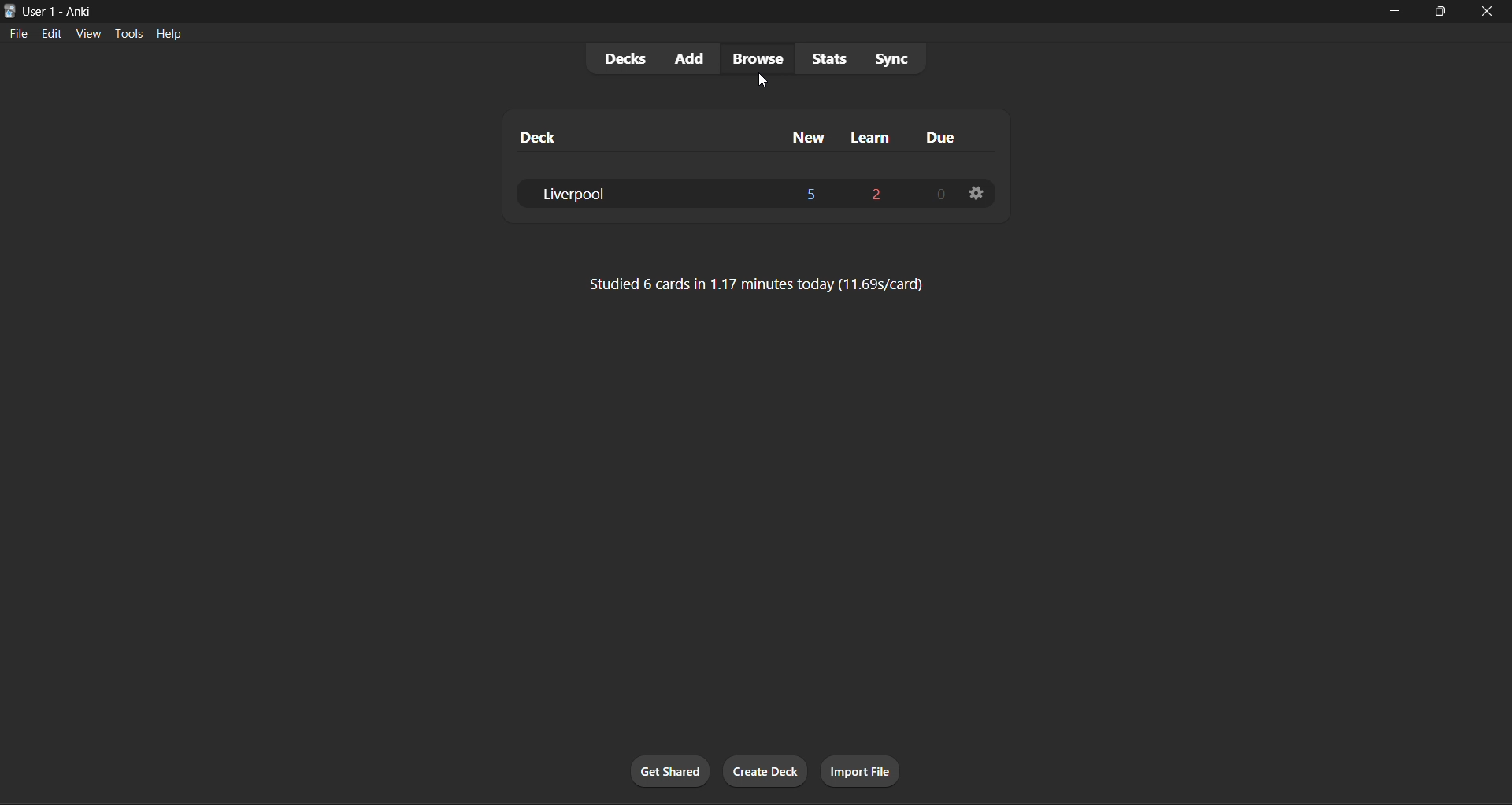 The image size is (1512, 805). Describe the element at coordinates (766, 772) in the screenshot. I see `create deck` at that location.